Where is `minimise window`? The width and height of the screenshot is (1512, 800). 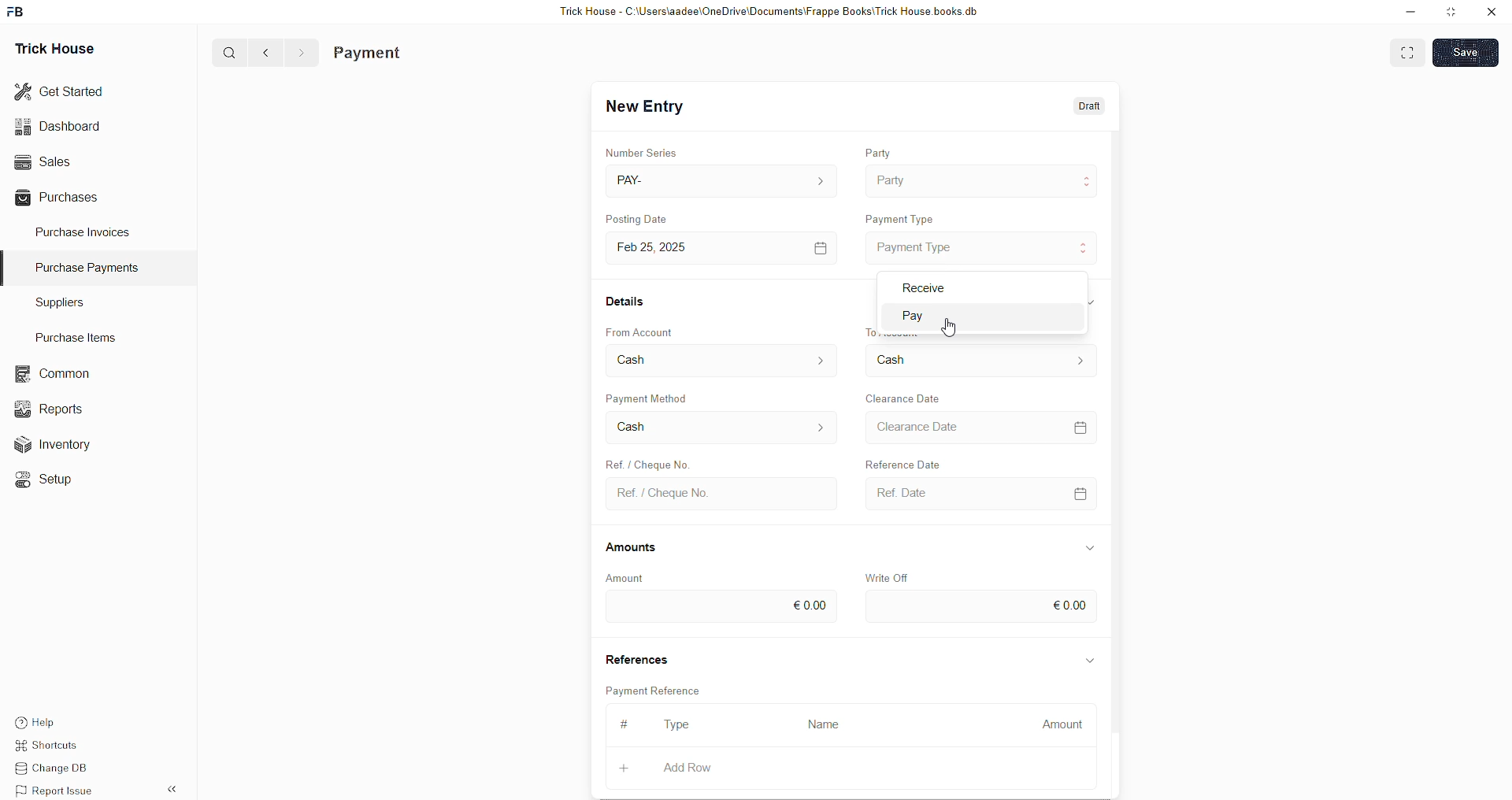
minimise window is located at coordinates (1450, 13).